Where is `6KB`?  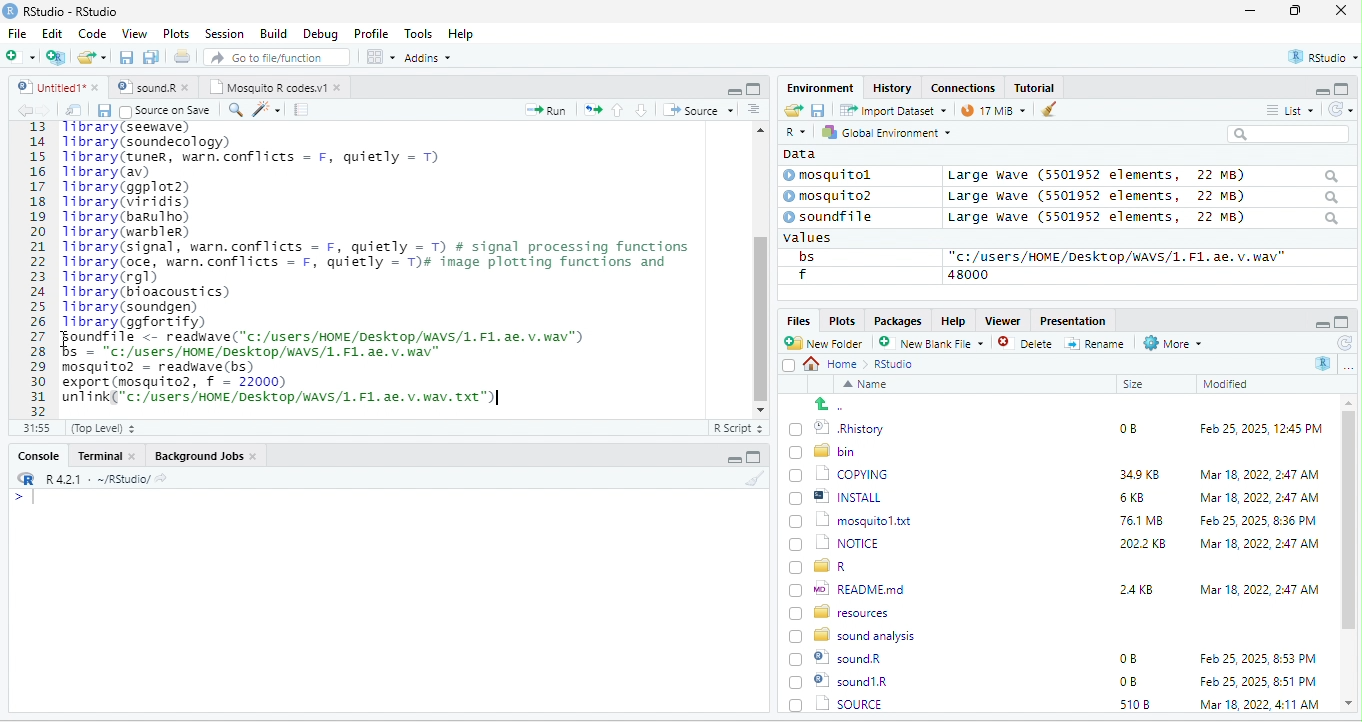
6KB is located at coordinates (1133, 498).